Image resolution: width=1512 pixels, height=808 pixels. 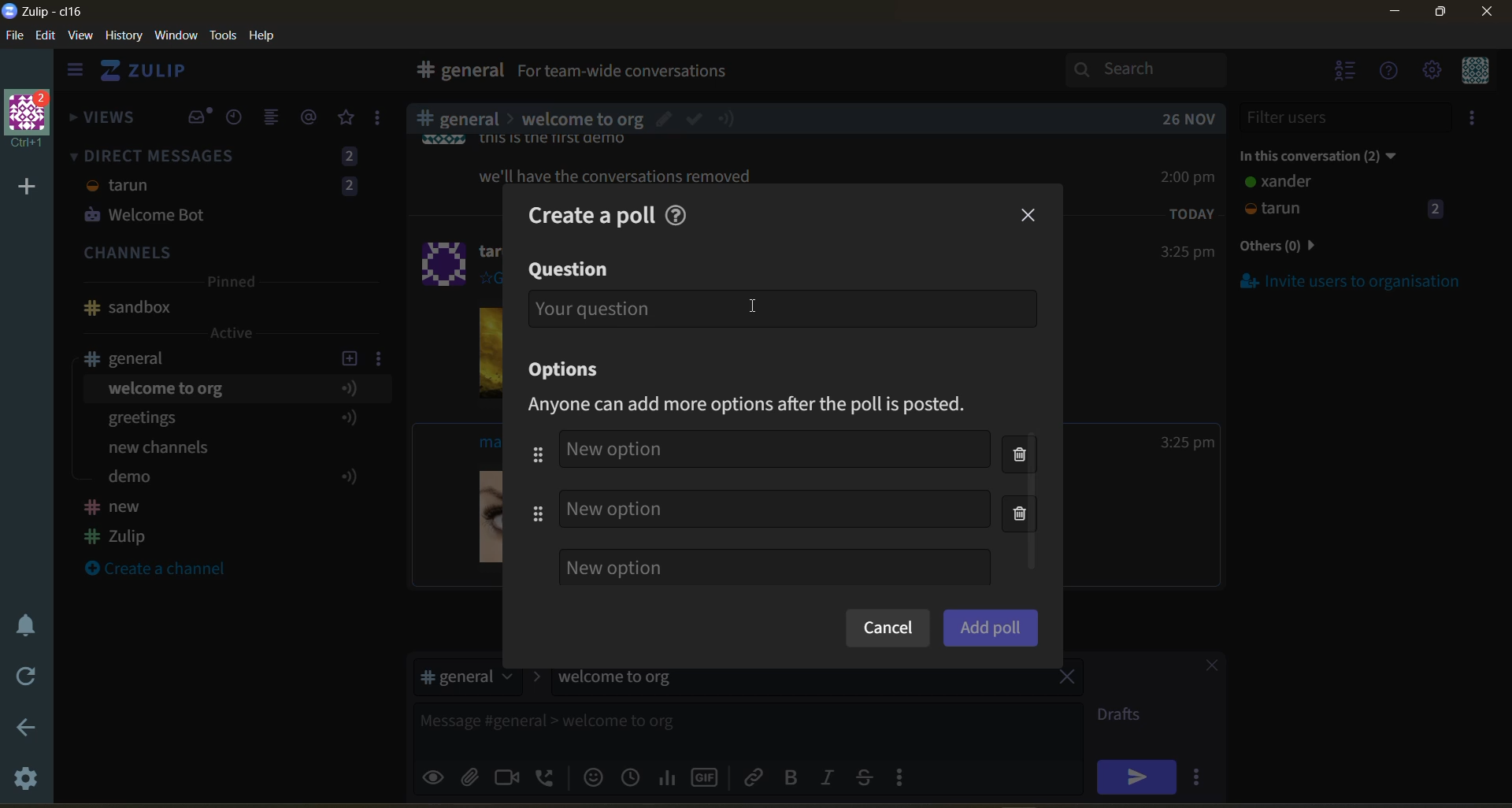 I want to click on close, so click(x=1488, y=17).